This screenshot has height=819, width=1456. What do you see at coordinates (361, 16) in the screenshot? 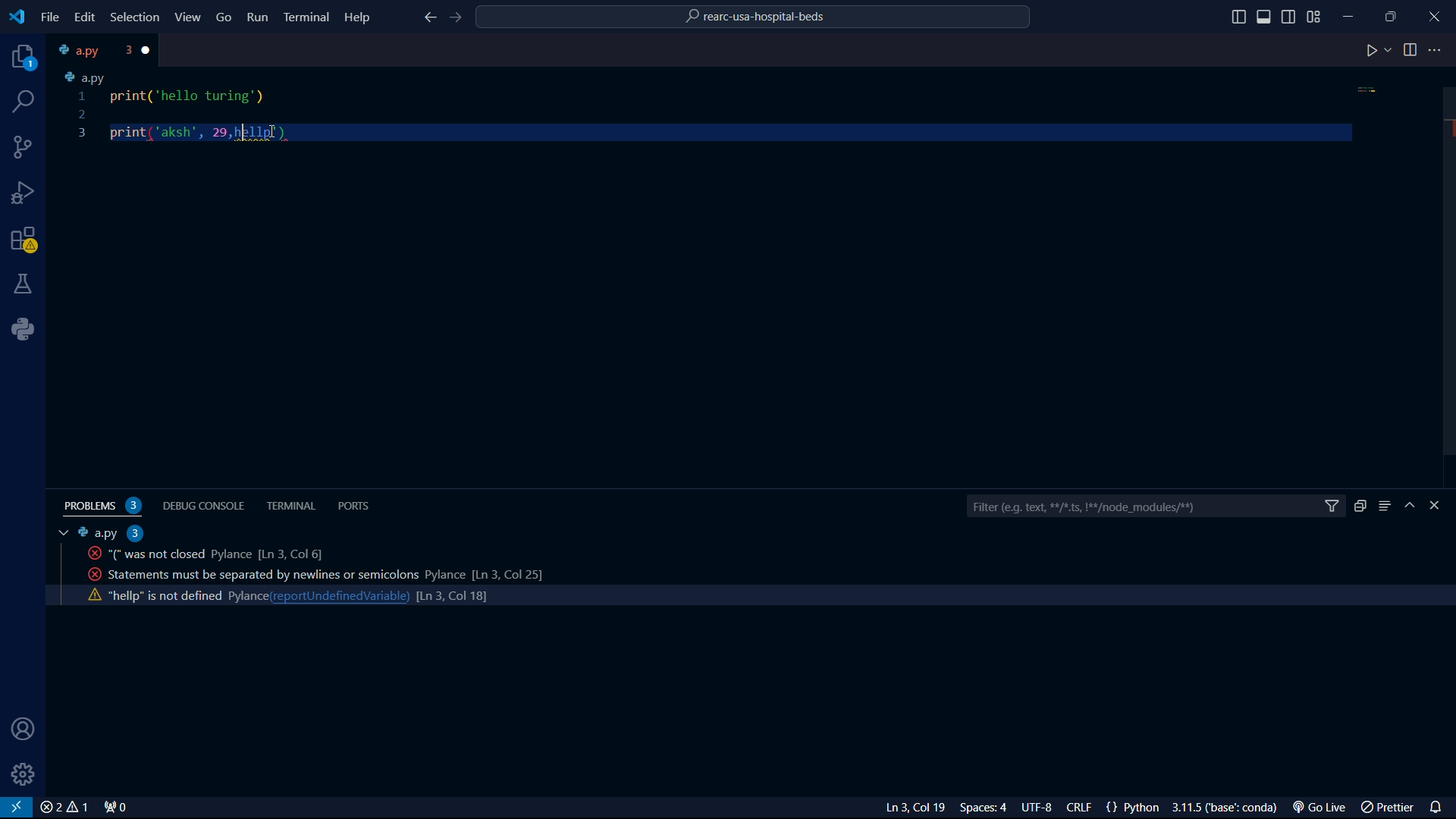
I see `Help` at bounding box center [361, 16].